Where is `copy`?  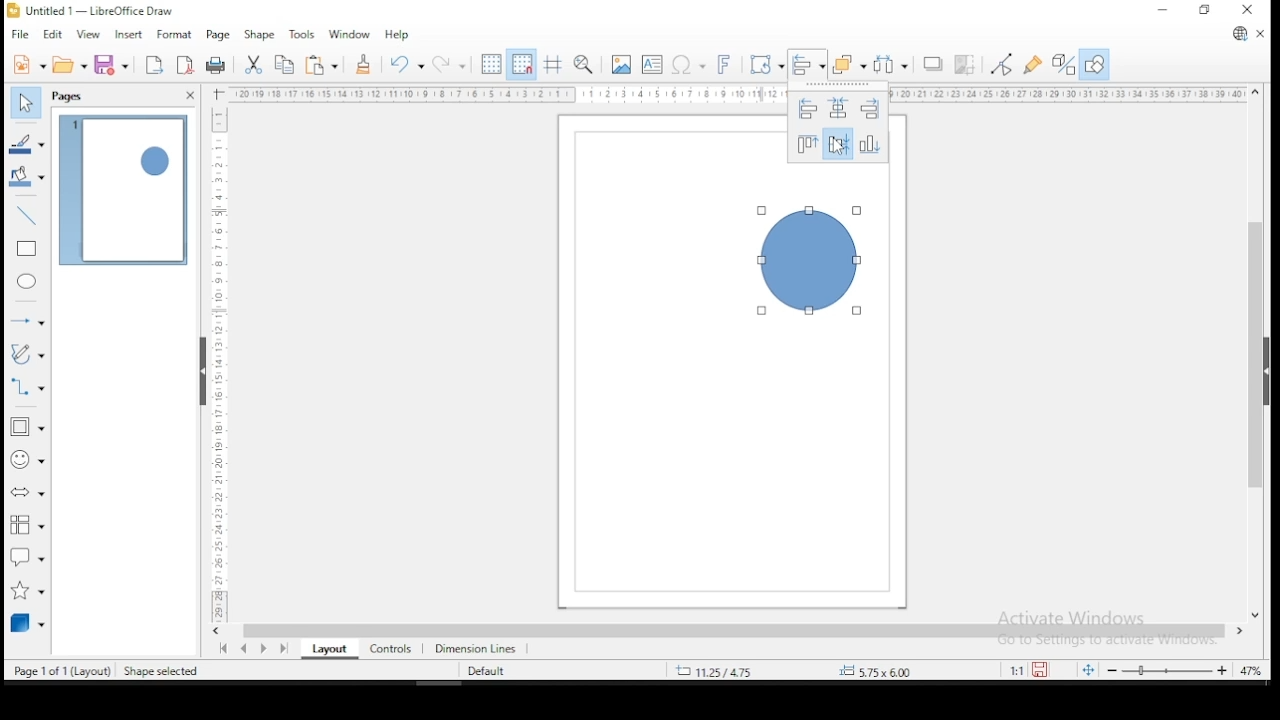
copy is located at coordinates (285, 65).